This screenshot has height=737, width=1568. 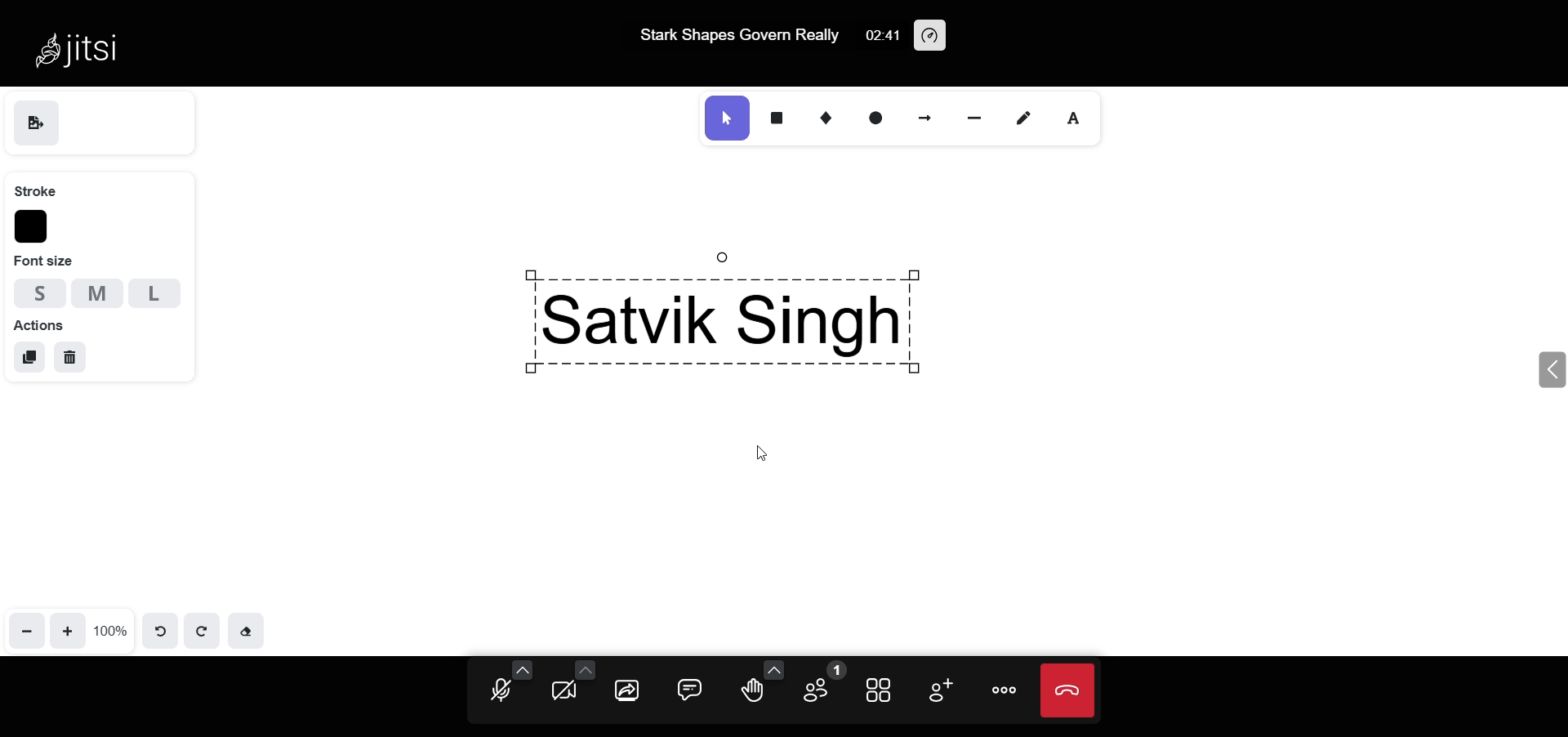 I want to click on font size, so click(x=45, y=261).